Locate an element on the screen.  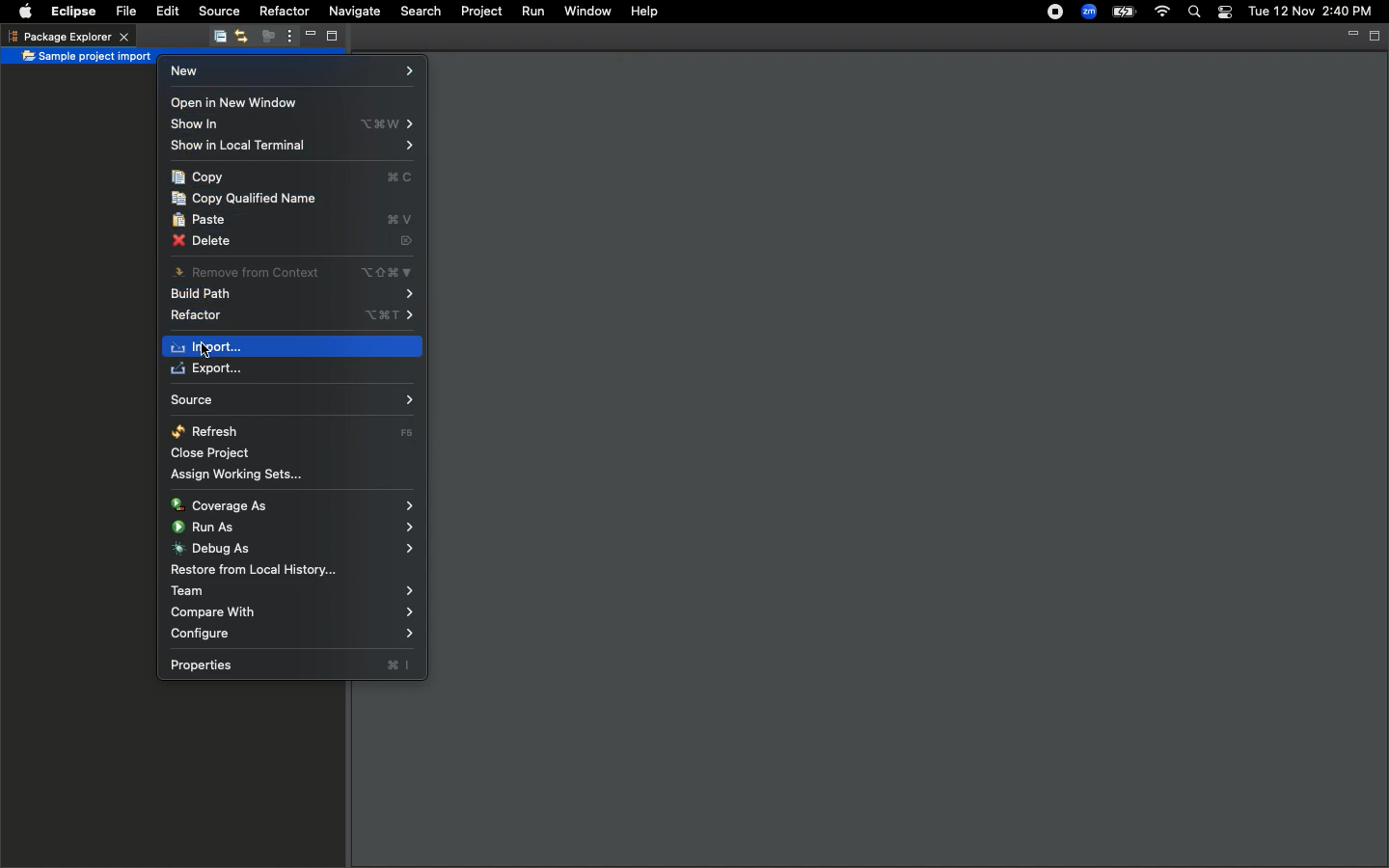
Apple logo is located at coordinates (25, 10).